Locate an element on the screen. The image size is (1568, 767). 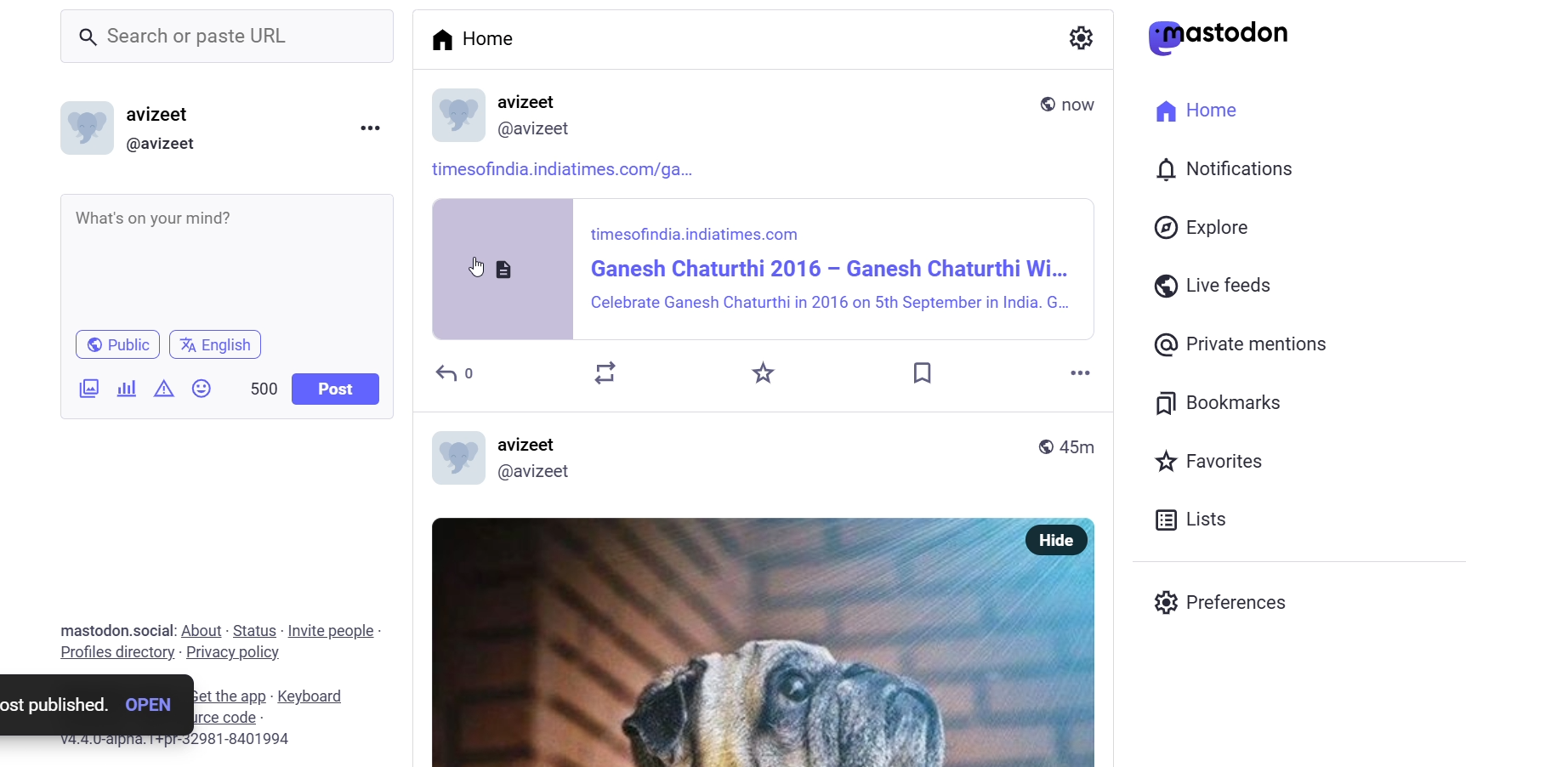
last modified is located at coordinates (1088, 106).